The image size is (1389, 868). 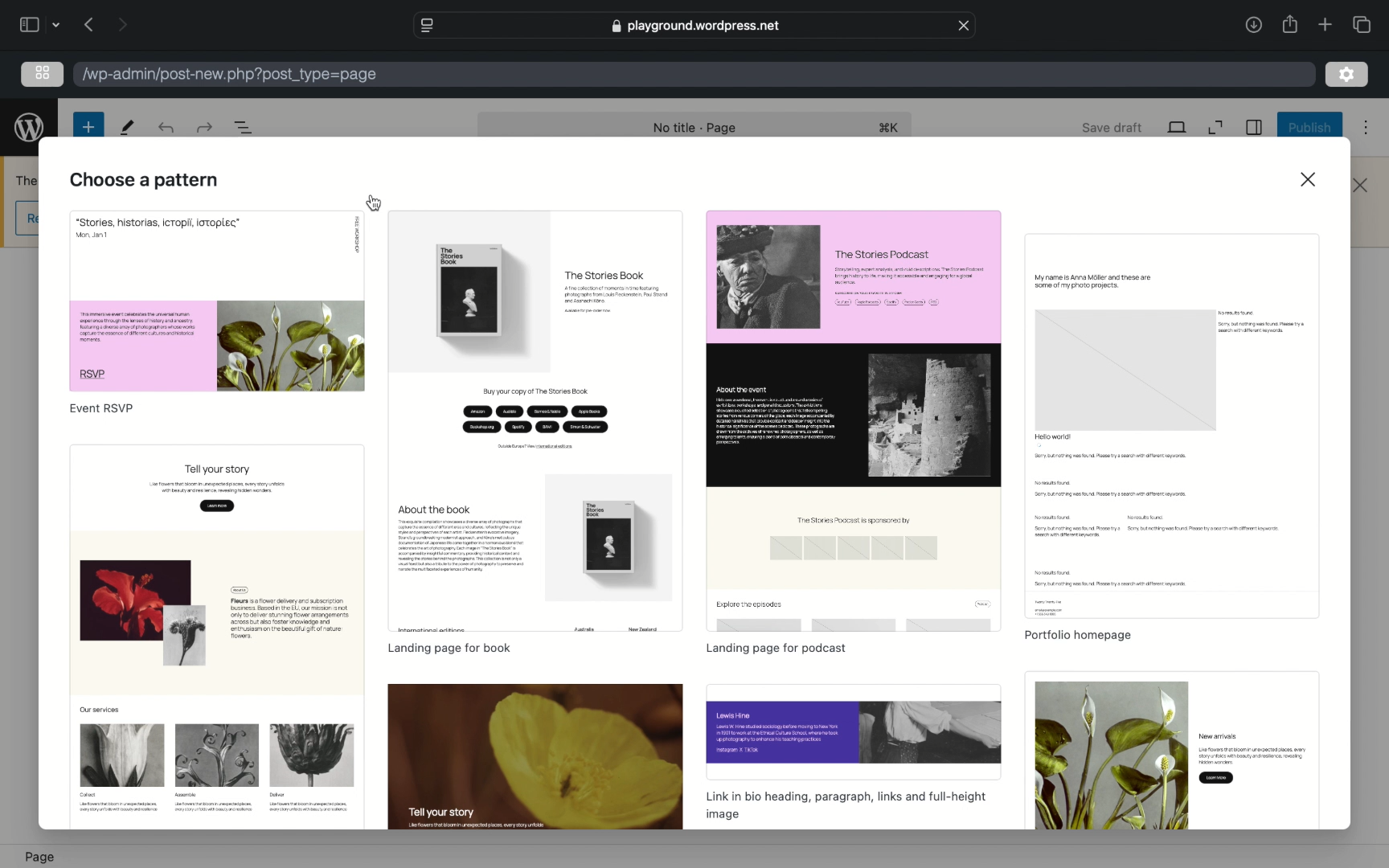 I want to click on grid  view, so click(x=43, y=72).